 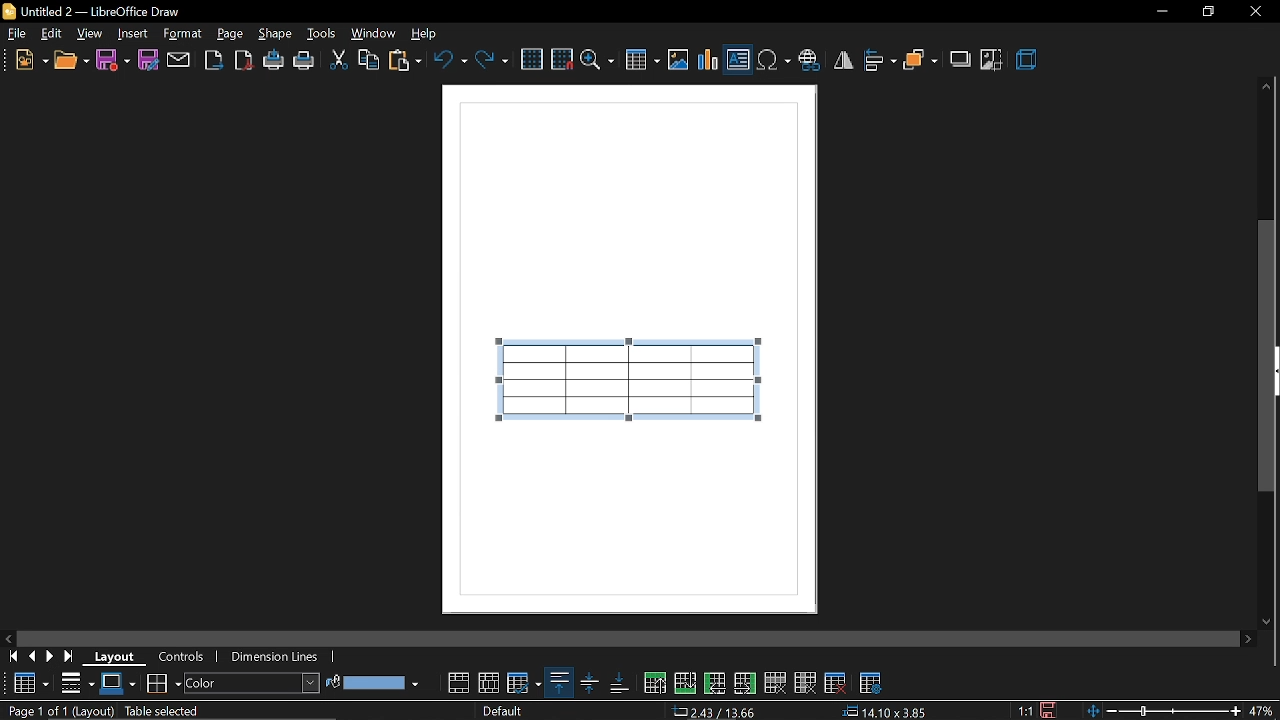 I want to click on insert text, so click(x=739, y=58).